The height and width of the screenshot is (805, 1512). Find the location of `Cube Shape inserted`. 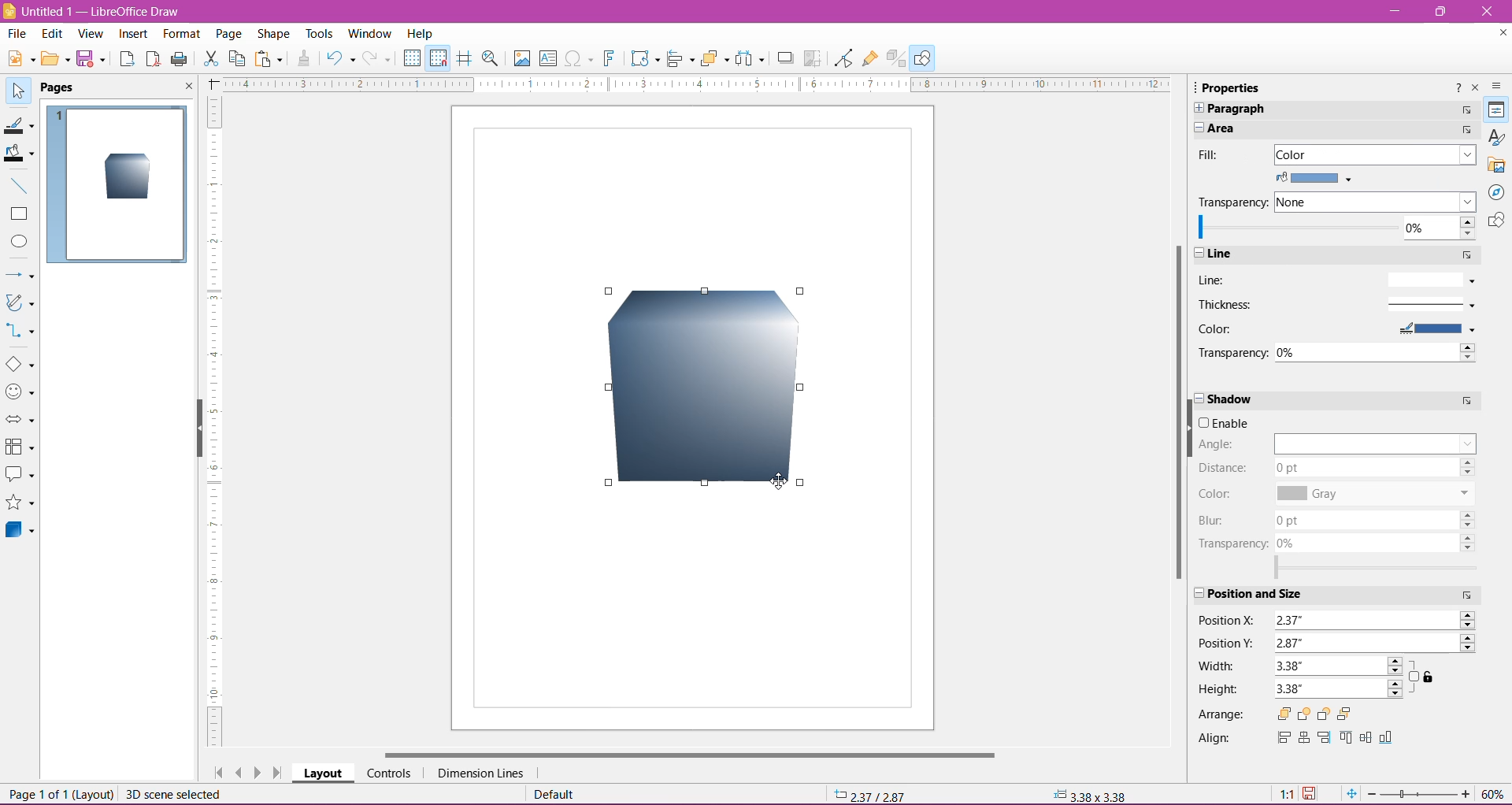

Cube Shape inserted is located at coordinates (128, 178).